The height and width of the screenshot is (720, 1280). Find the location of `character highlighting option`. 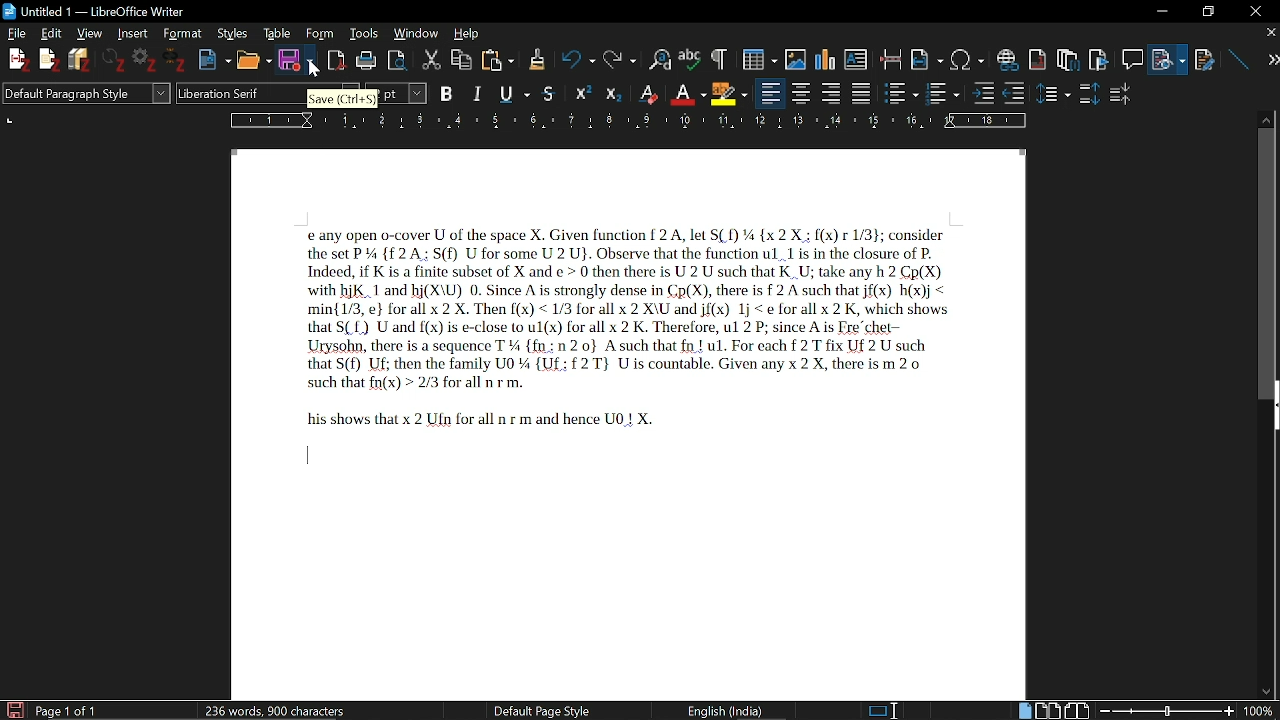

character highlighting option is located at coordinates (728, 92).